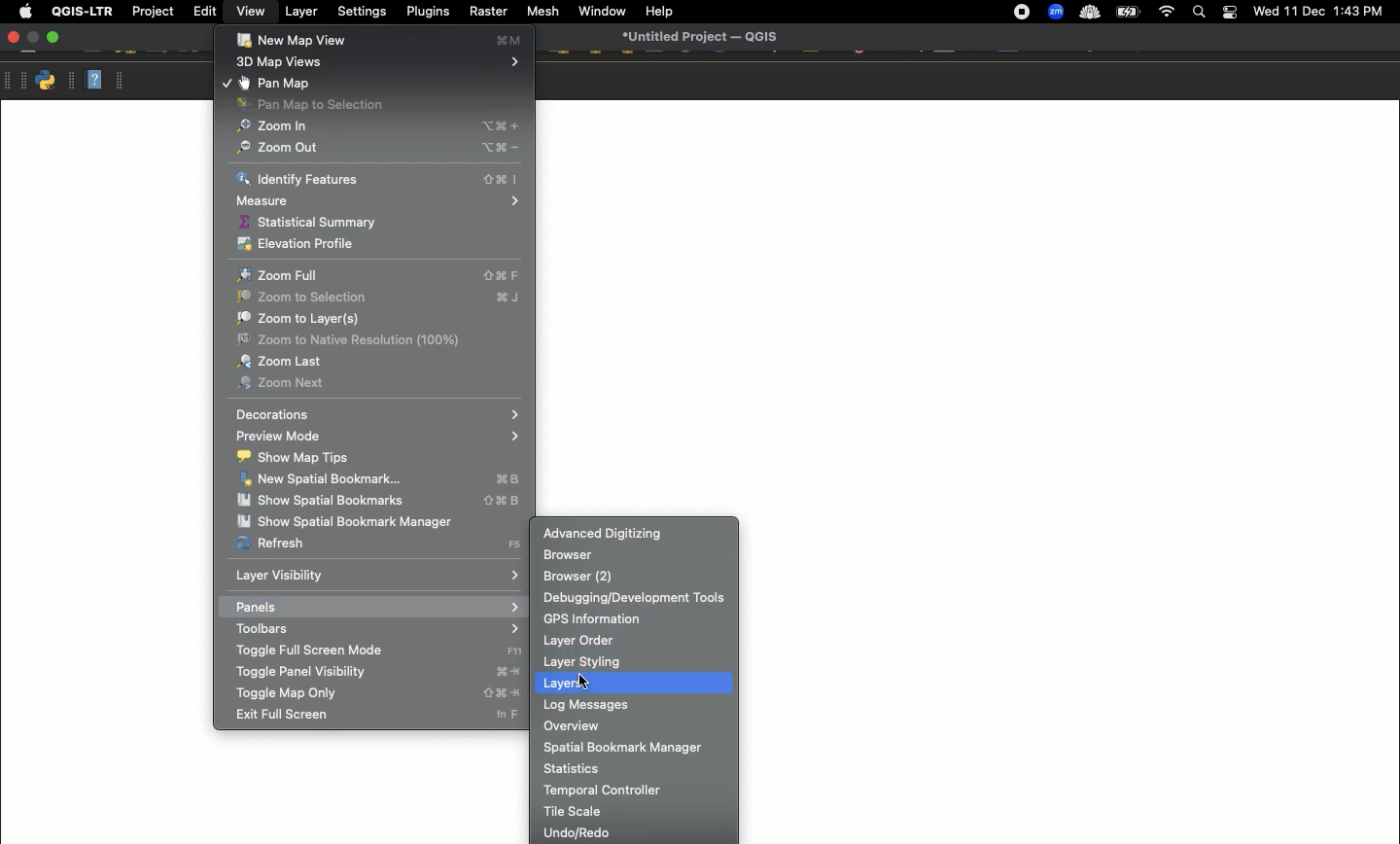  Describe the element at coordinates (1022, 13) in the screenshot. I see `Recording` at that location.